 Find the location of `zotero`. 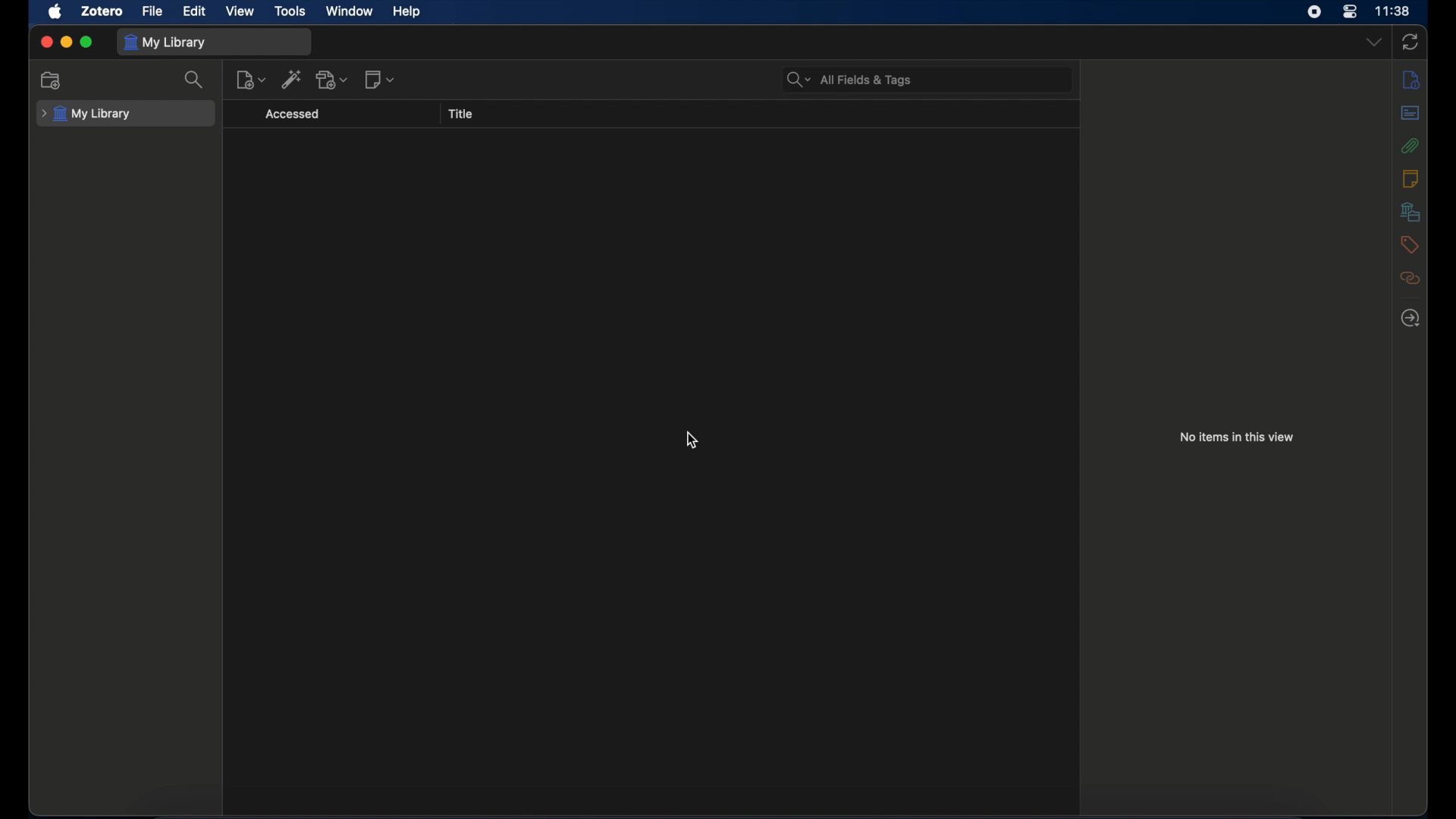

zotero is located at coordinates (104, 11).